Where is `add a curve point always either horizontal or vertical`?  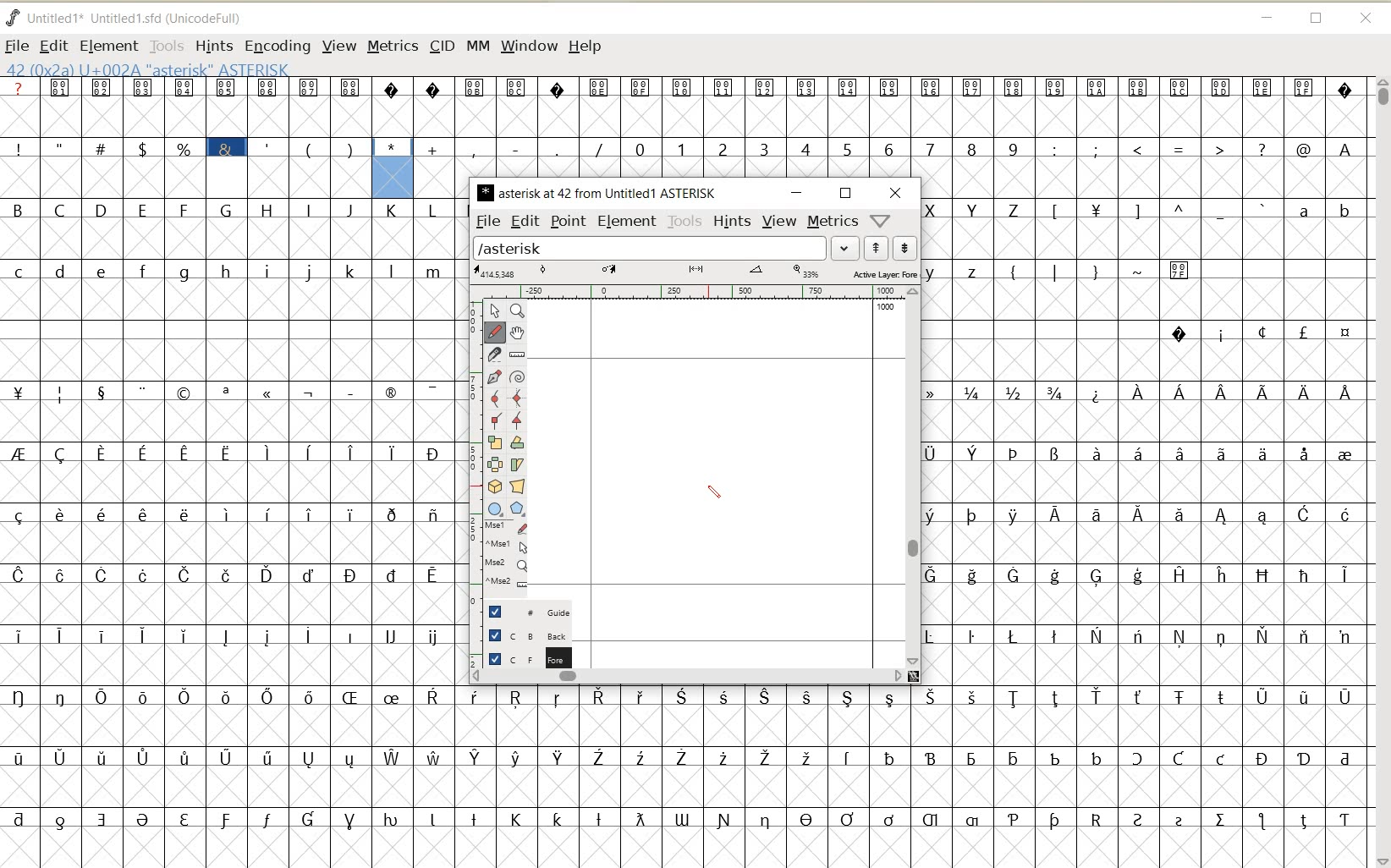
add a curve point always either horizontal or vertical is located at coordinates (517, 395).